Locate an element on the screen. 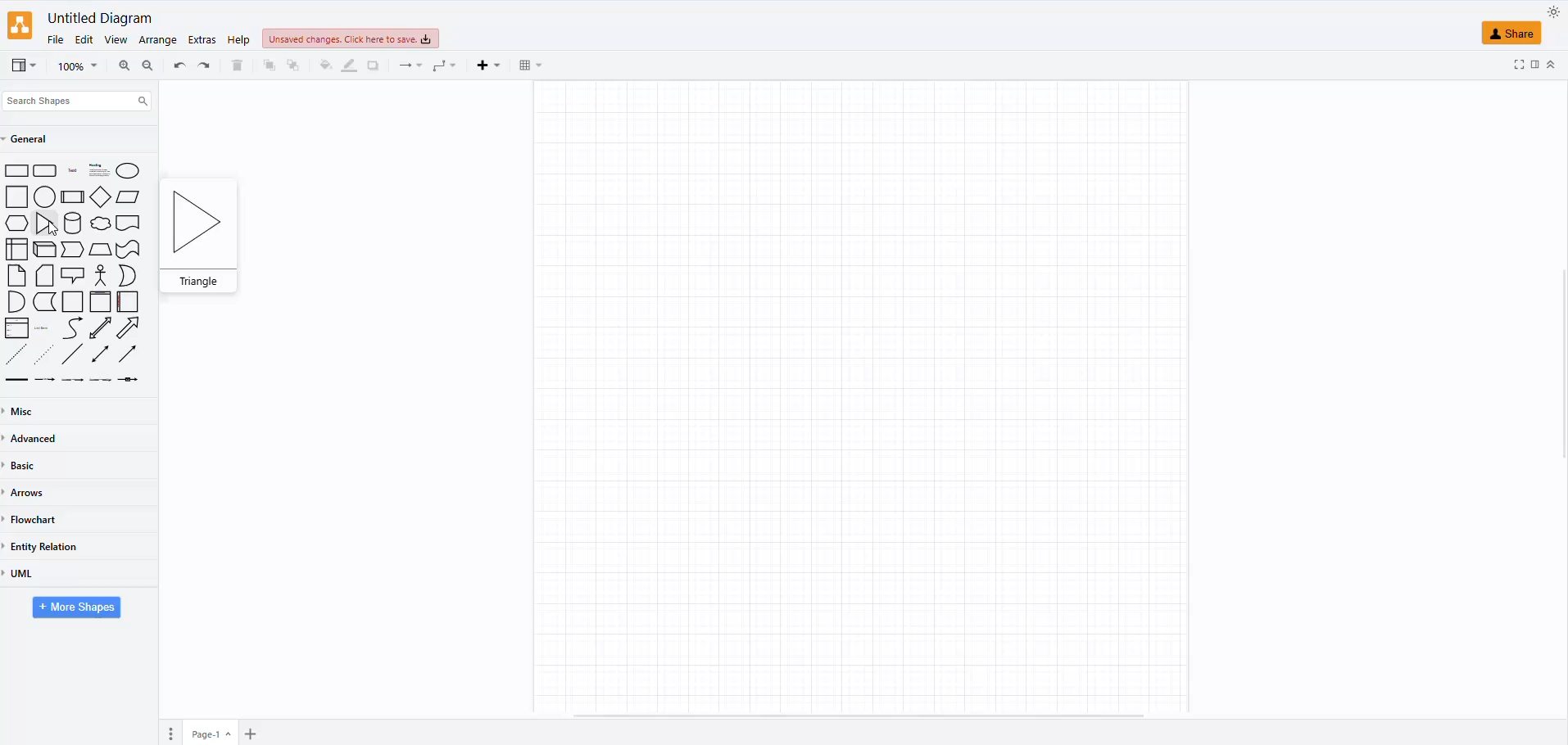 The height and width of the screenshot is (745, 1568). Curved Page is located at coordinates (45, 302).